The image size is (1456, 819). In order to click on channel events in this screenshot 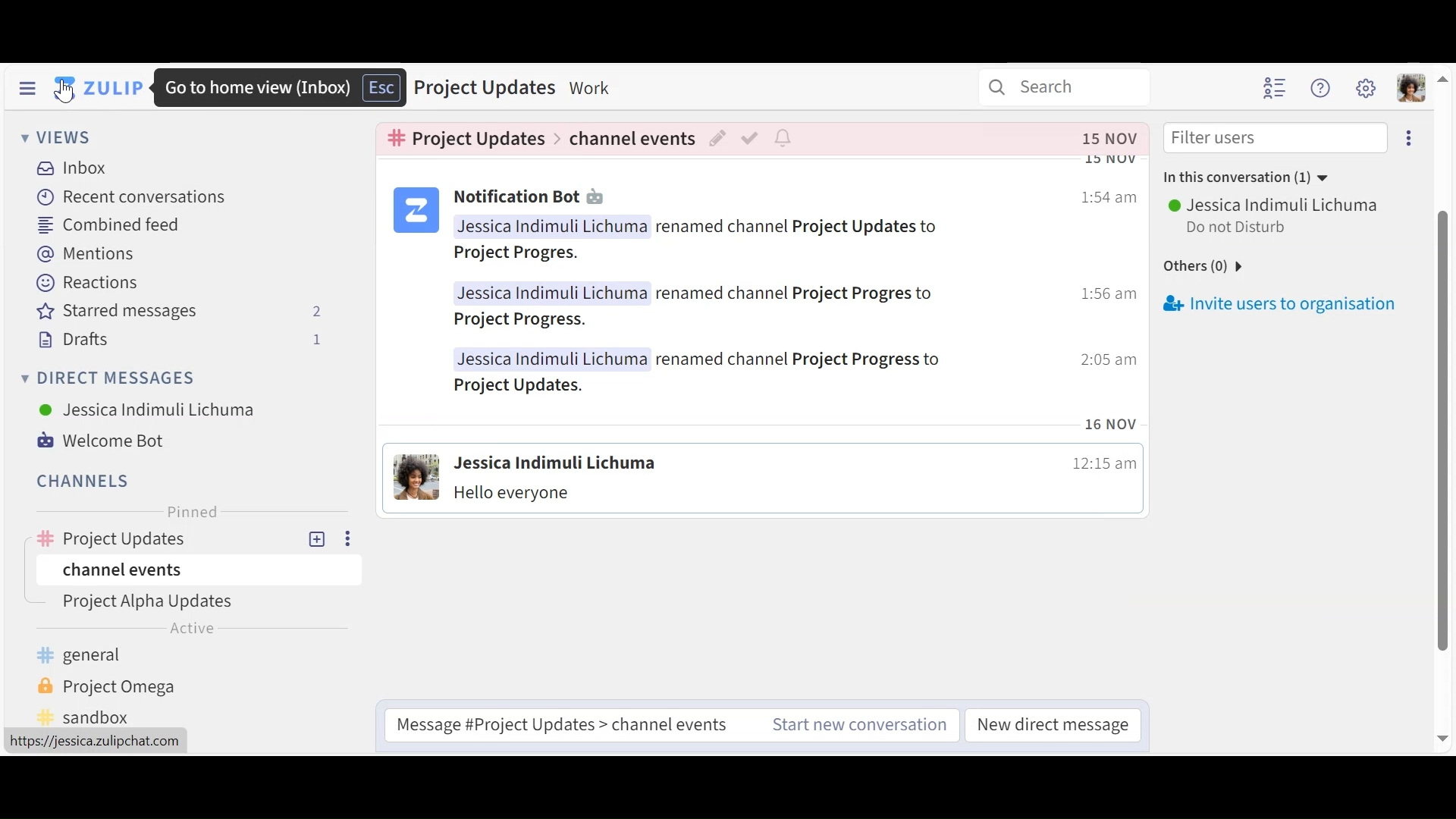, I will do `click(151, 568)`.